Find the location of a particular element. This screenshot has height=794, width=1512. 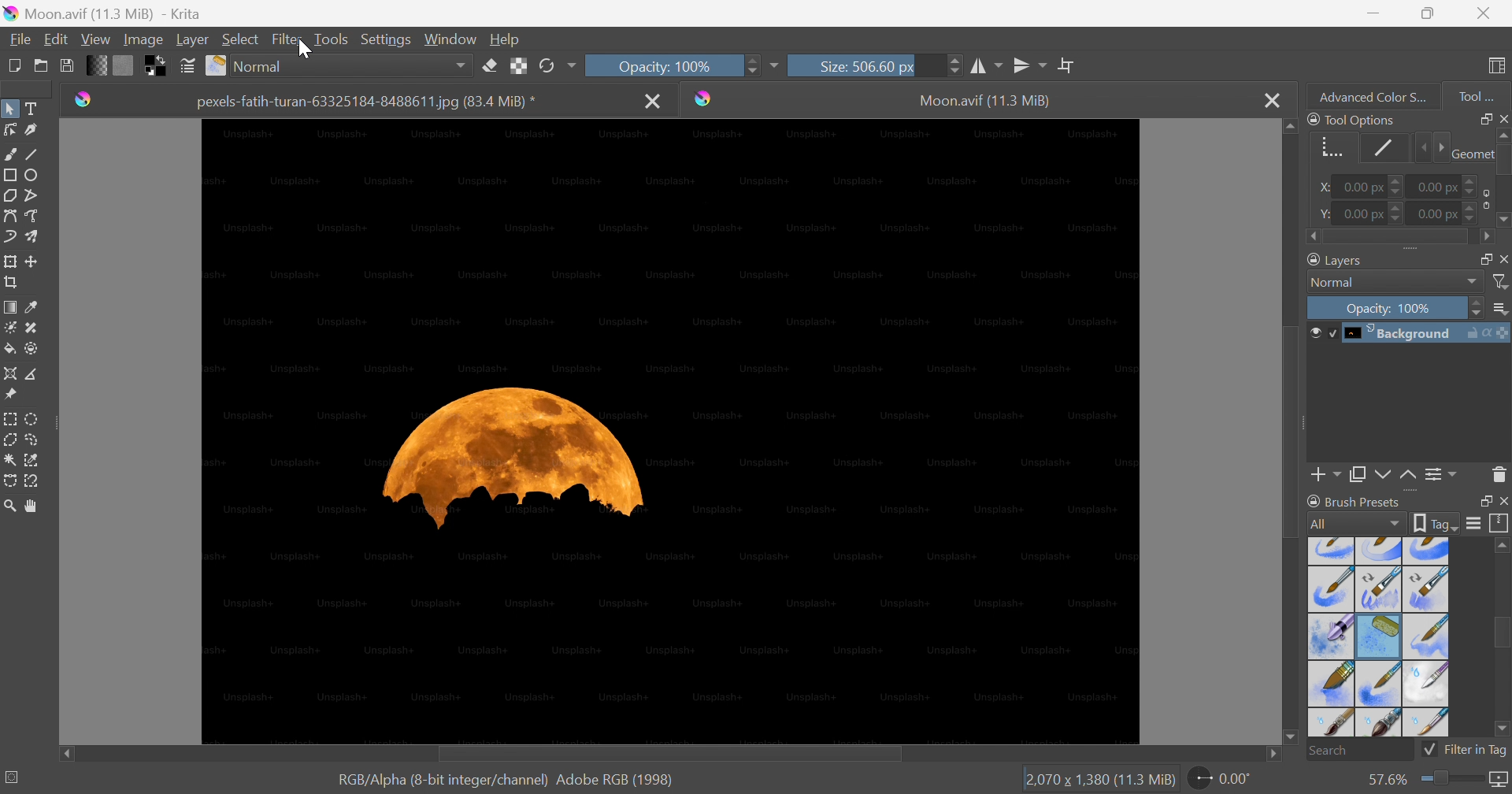

All is located at coordinates (1354, 525).